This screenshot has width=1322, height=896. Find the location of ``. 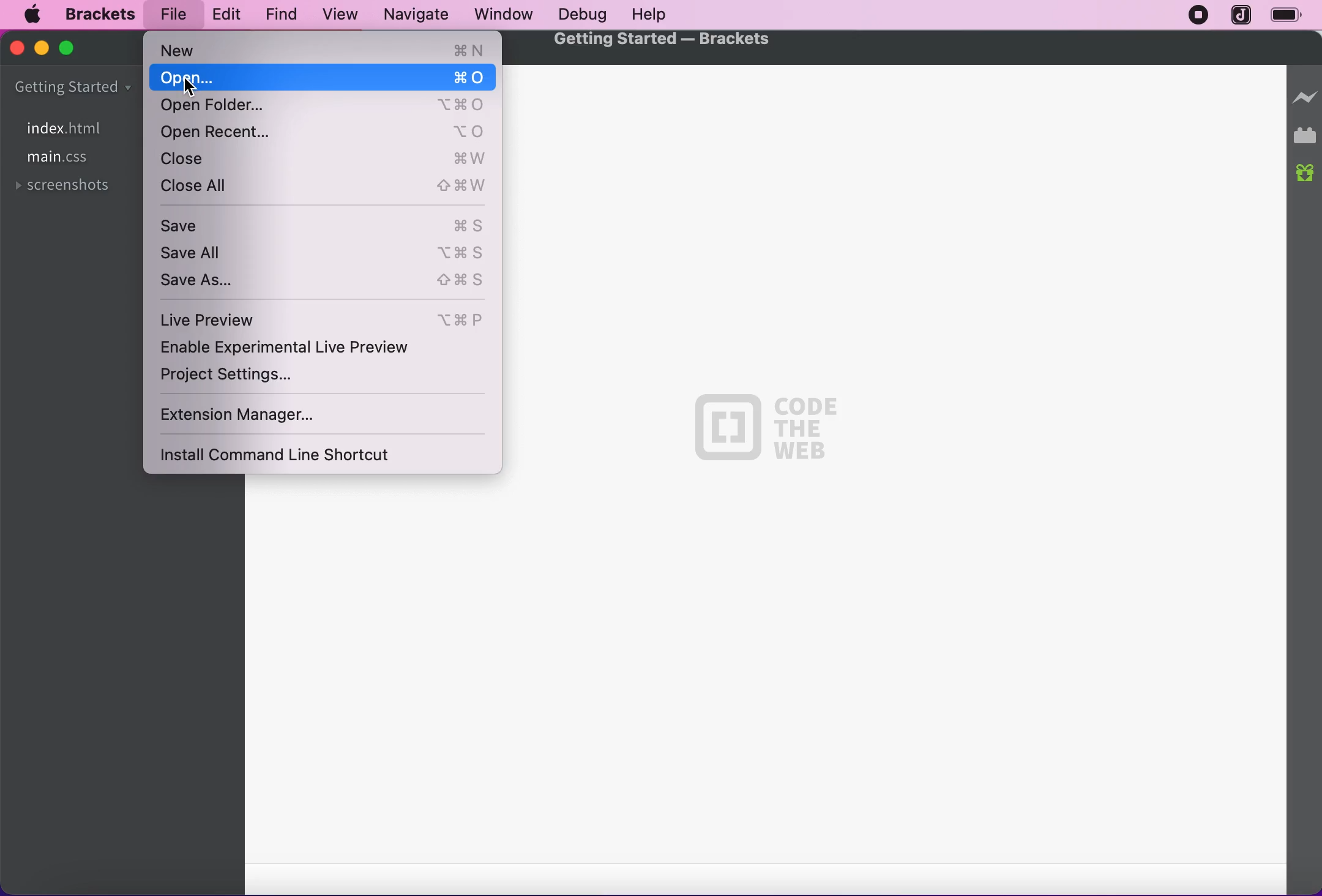

 is located at coordinates (324, 159).